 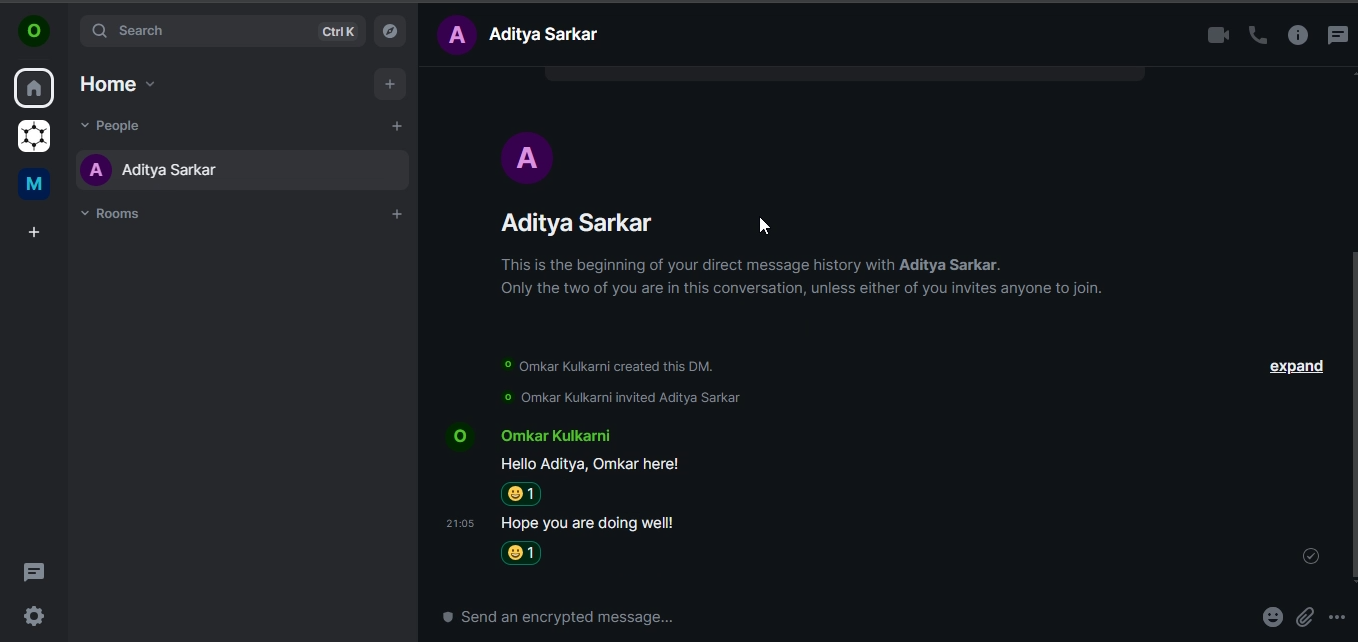 I want to click on video call, so click(x=1211, y=36).